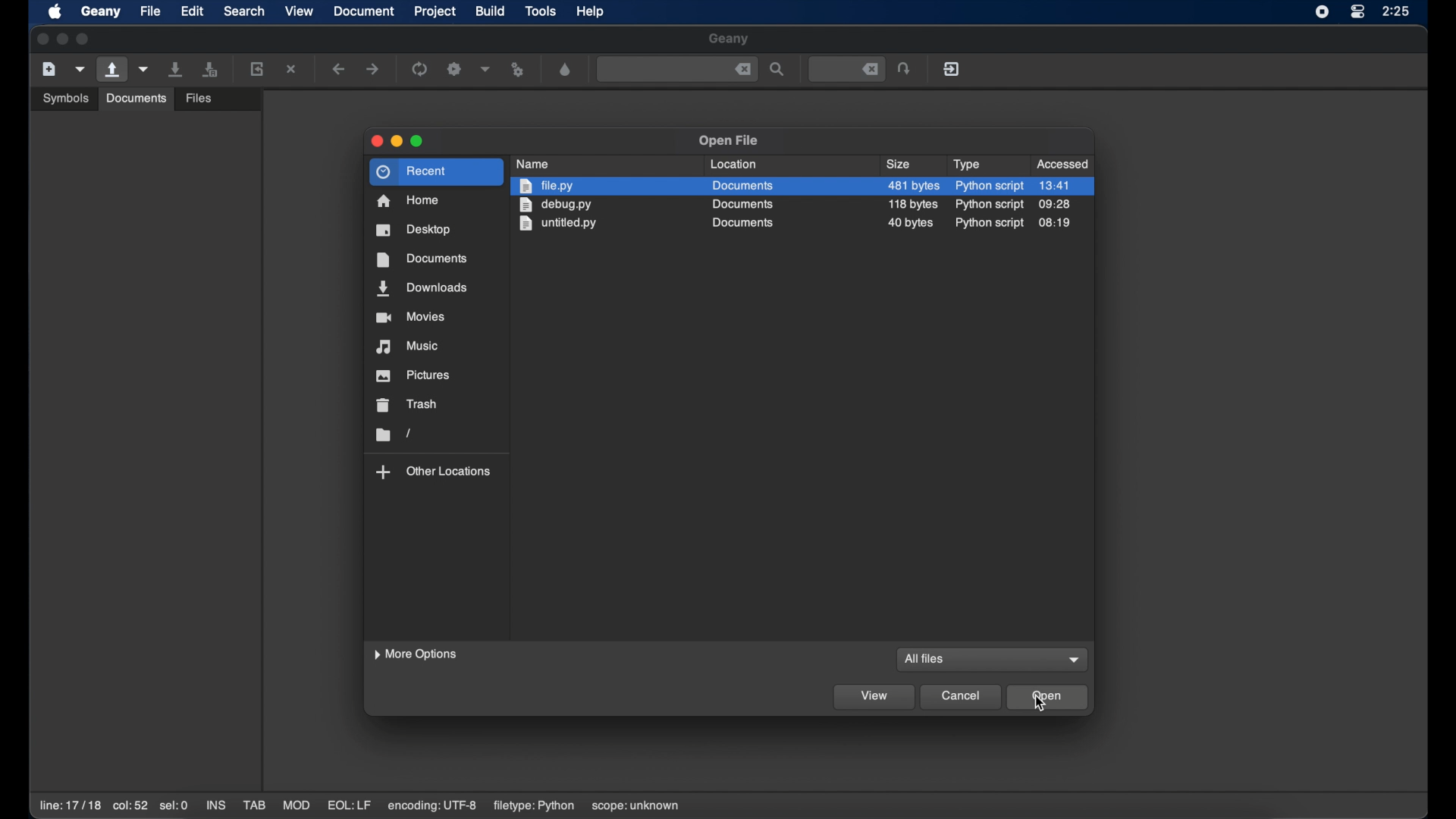 This screenshot has width=1456, height=819. Describe the element at coordinates (874, 696) in the screenshot. I see `view` at that location.